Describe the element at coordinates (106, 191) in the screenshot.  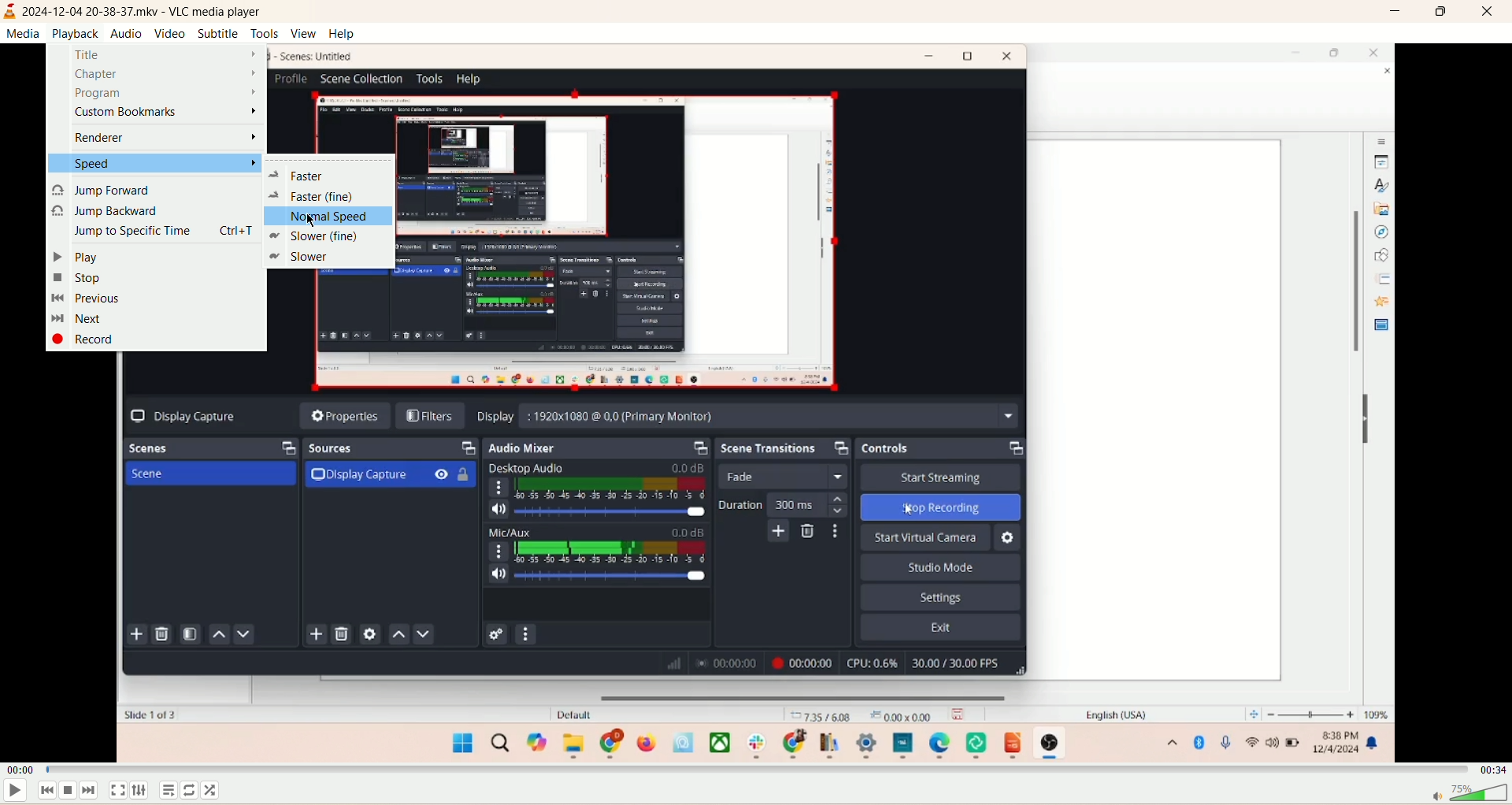
I see `jump forward` at that location.